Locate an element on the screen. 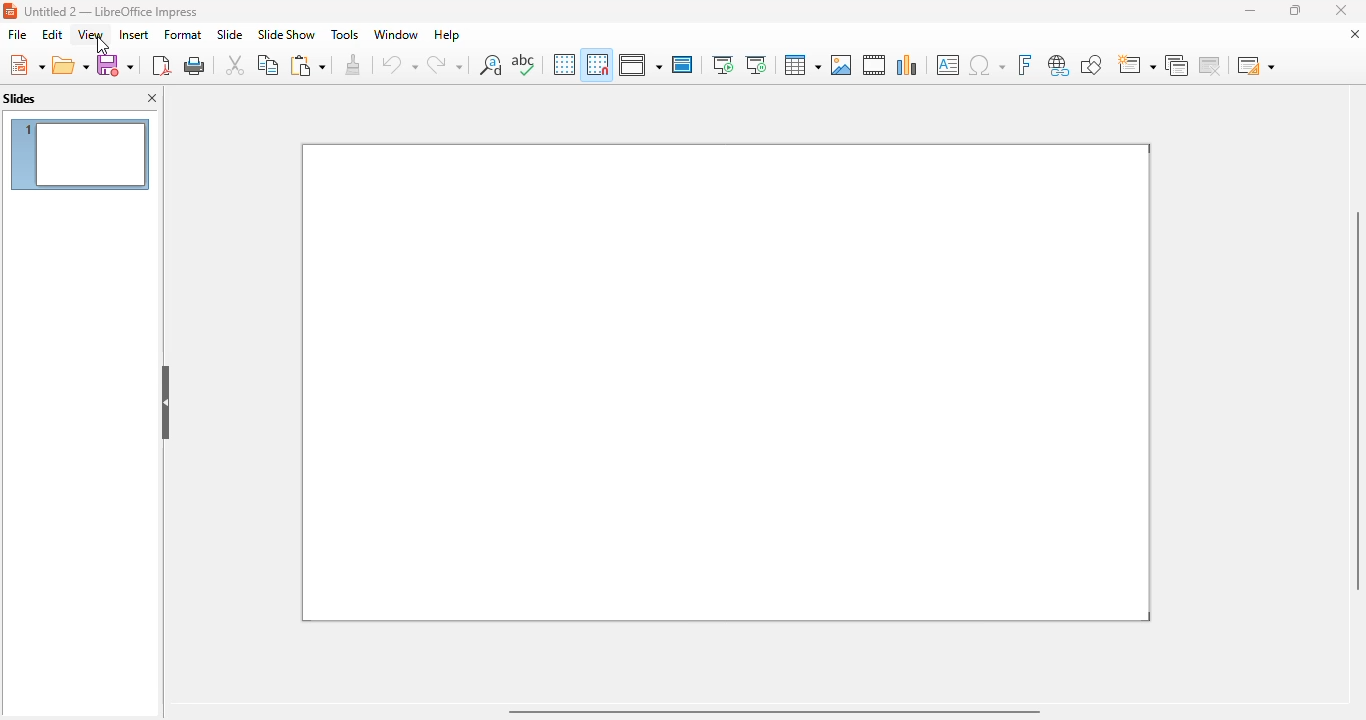  duplicate slide is located at coordinates (1176, 64).